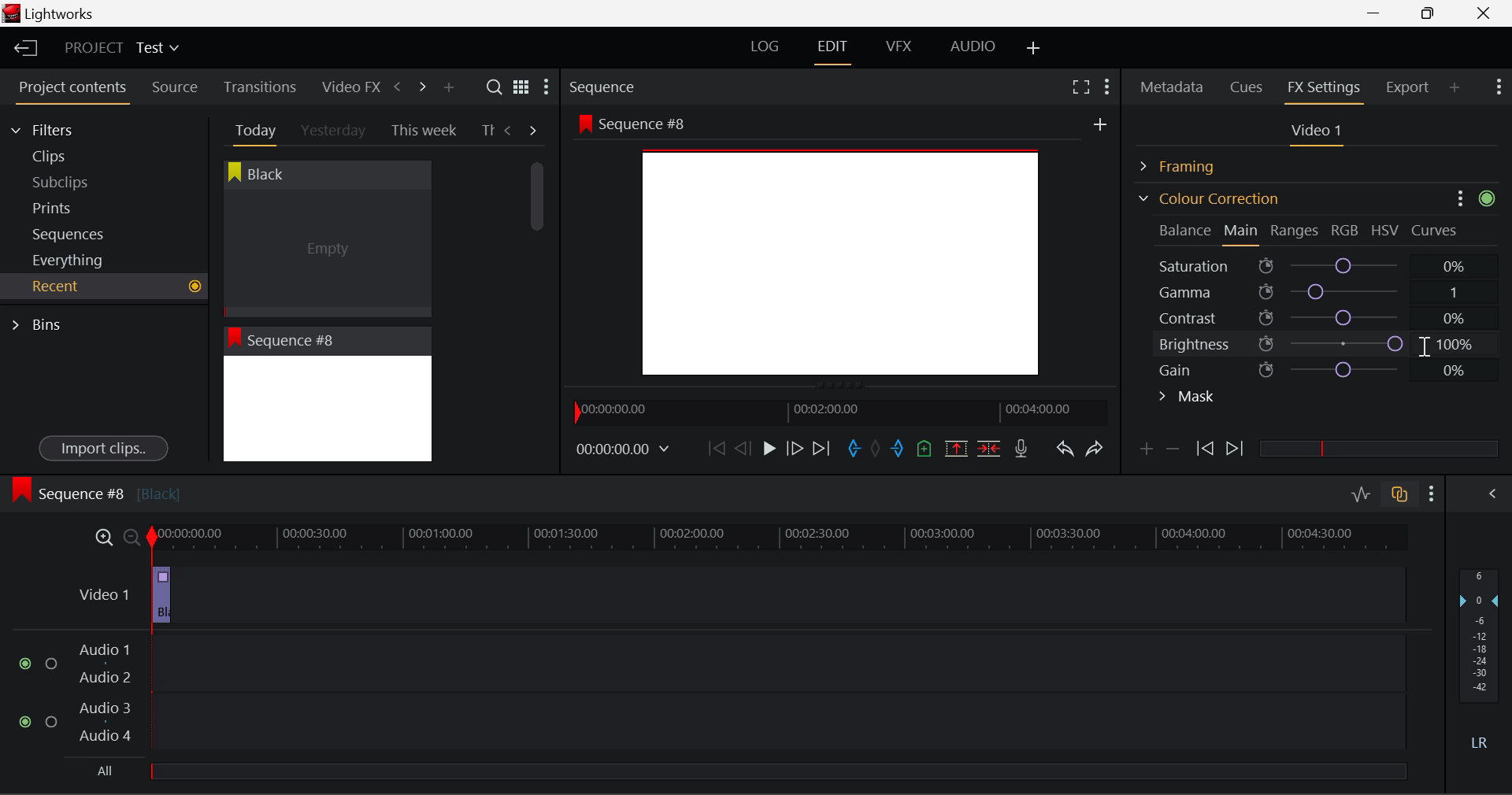  Describe the element at coordinates (101, 593) in the screenshot. I see `Video 1` at that location.